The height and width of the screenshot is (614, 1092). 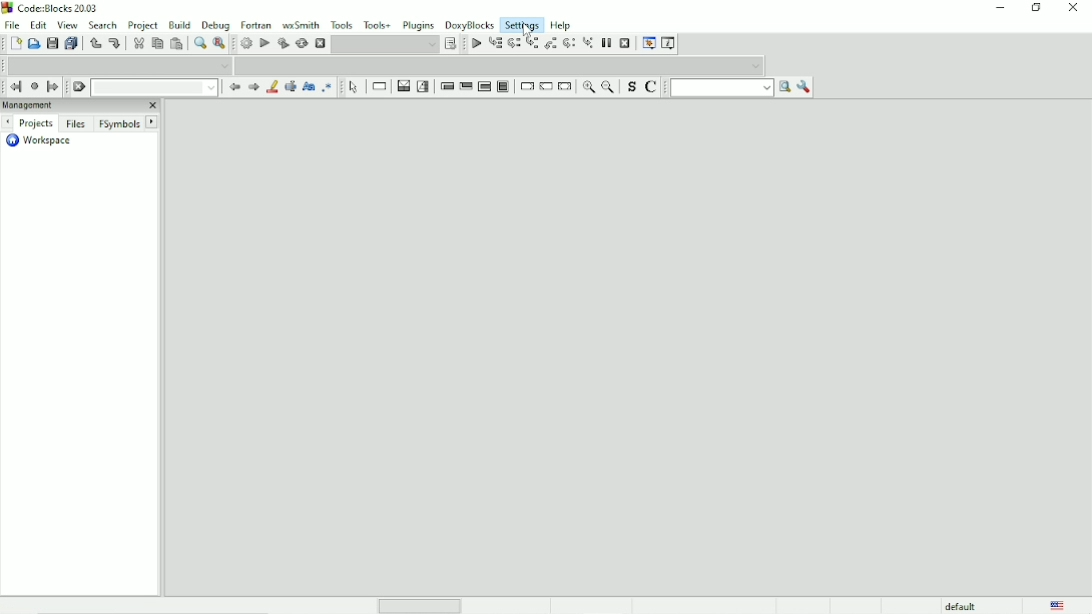 What do you see at coordinates (503, 86) in the screenshot?
I see `Block instruction` at bounding box center [503, 86].